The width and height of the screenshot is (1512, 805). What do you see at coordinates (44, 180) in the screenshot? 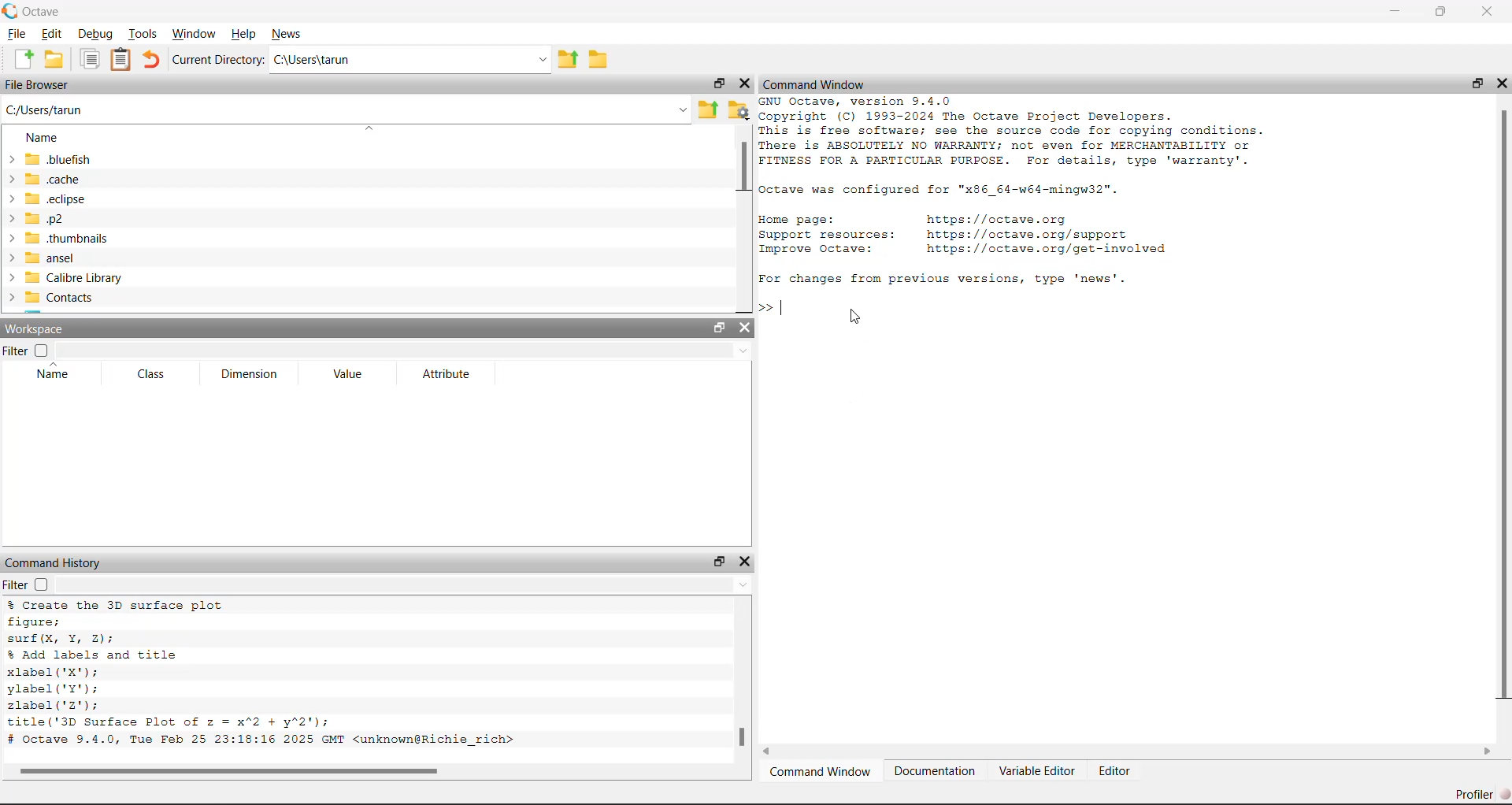
I see `.cache` at bounding box center [44, 180].